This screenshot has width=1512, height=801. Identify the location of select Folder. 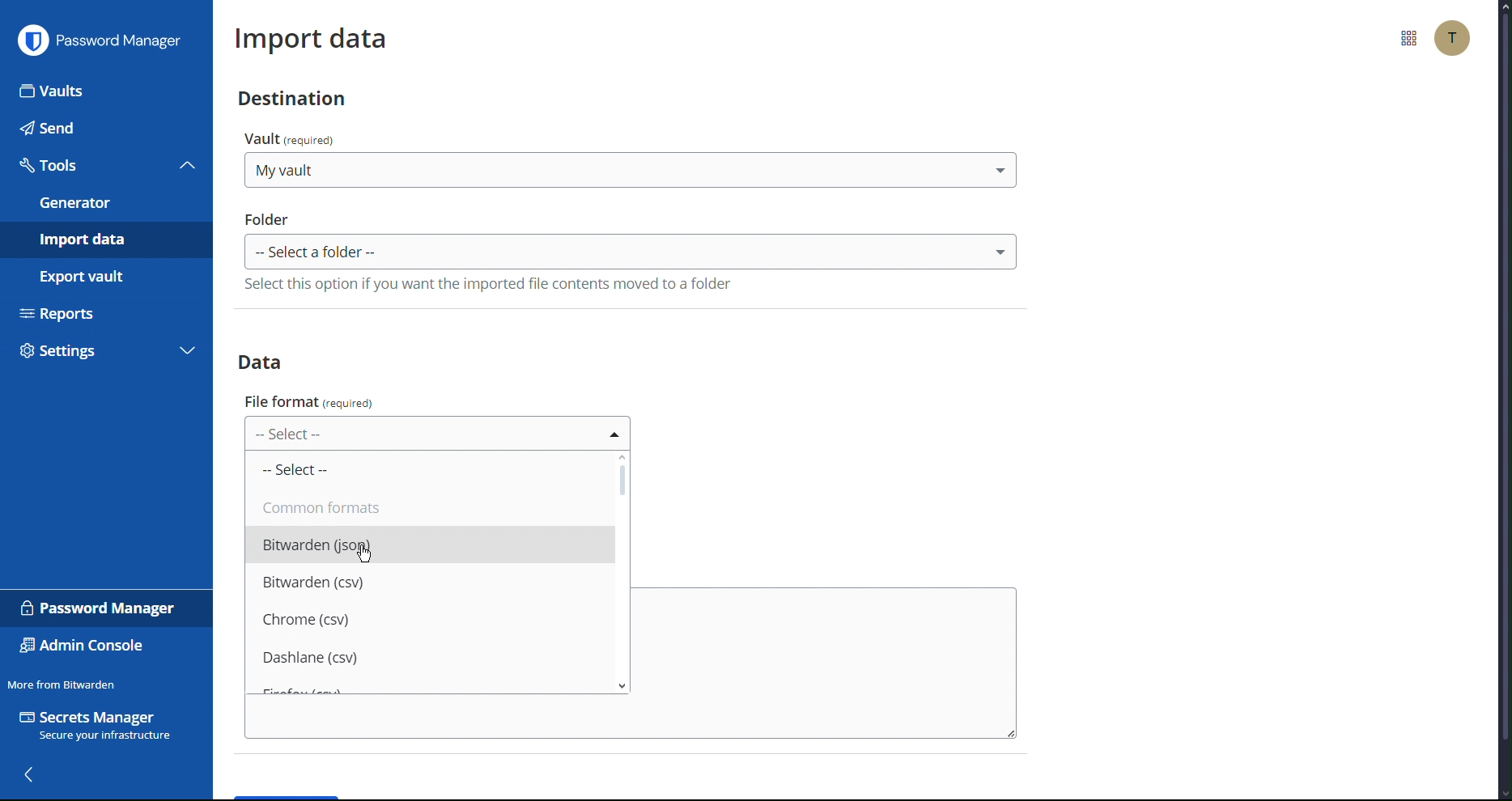
(631, 251).